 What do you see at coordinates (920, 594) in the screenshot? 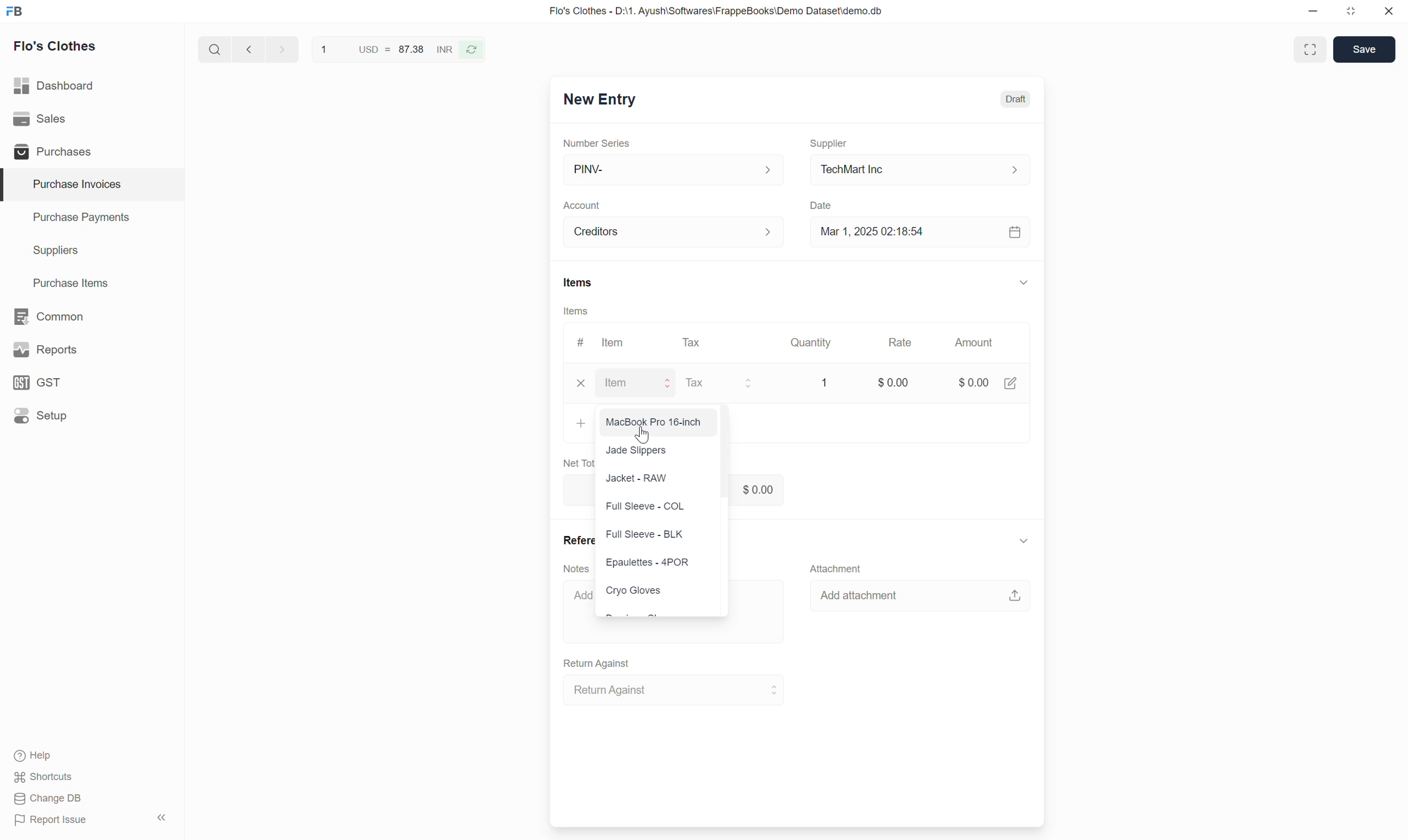
I see `Add attachment` at bounding box center [920, 594].